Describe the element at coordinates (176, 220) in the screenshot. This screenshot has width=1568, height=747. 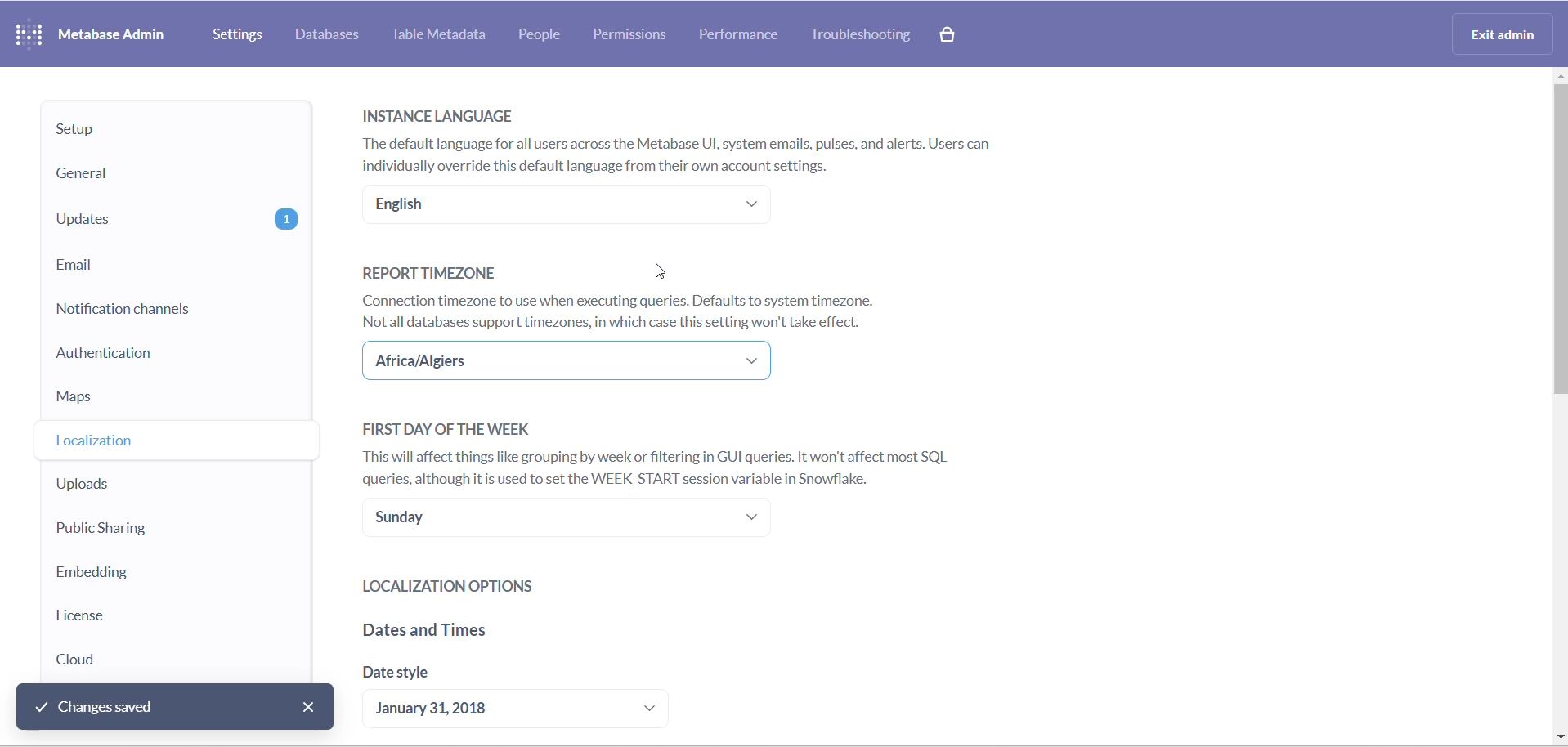
I see `UPDATES` at that location.